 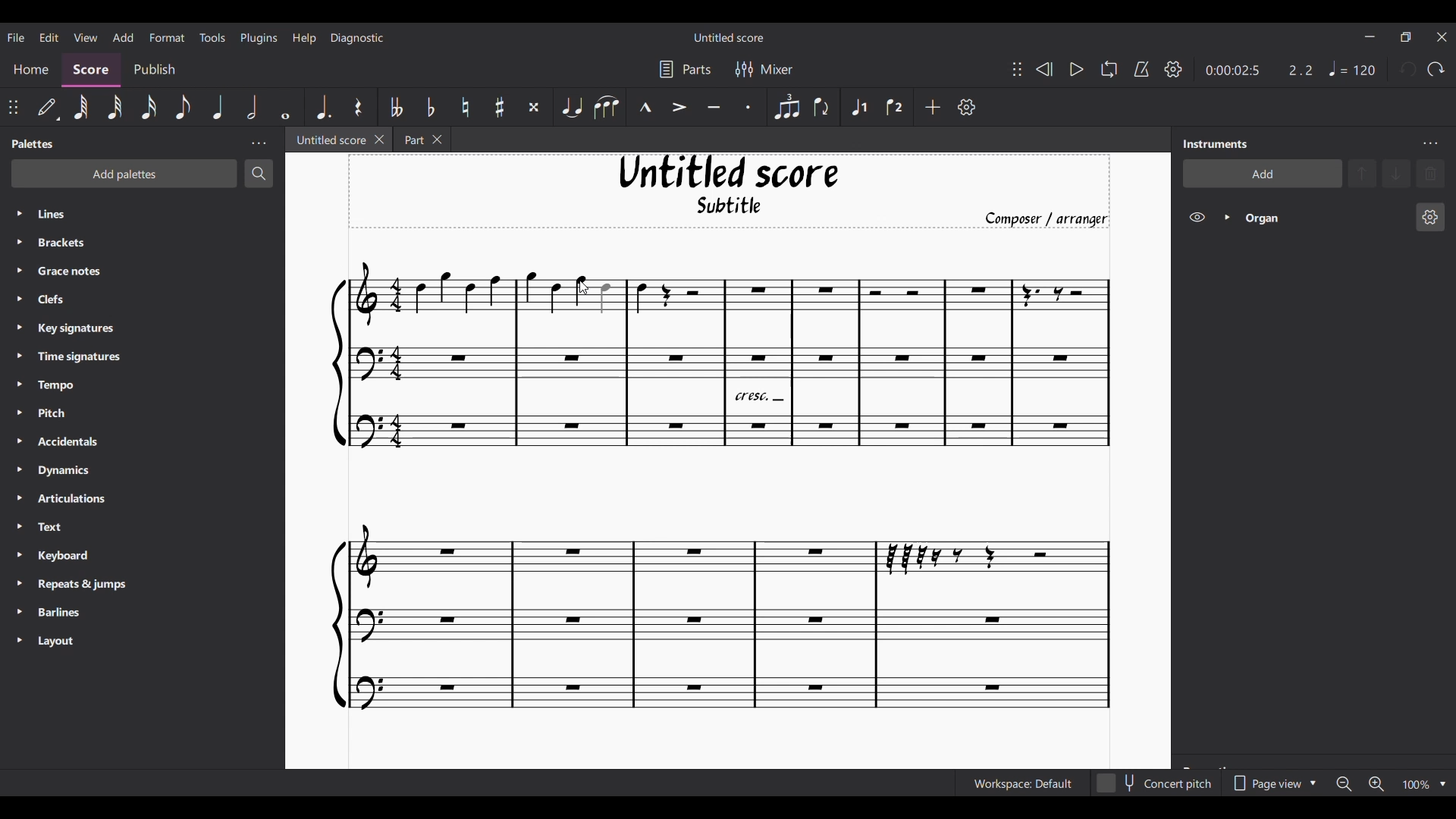 What do you see at coordinates (212, 36) in the screenshot?
I see `Tools menu` at bounding box center [212, 36].